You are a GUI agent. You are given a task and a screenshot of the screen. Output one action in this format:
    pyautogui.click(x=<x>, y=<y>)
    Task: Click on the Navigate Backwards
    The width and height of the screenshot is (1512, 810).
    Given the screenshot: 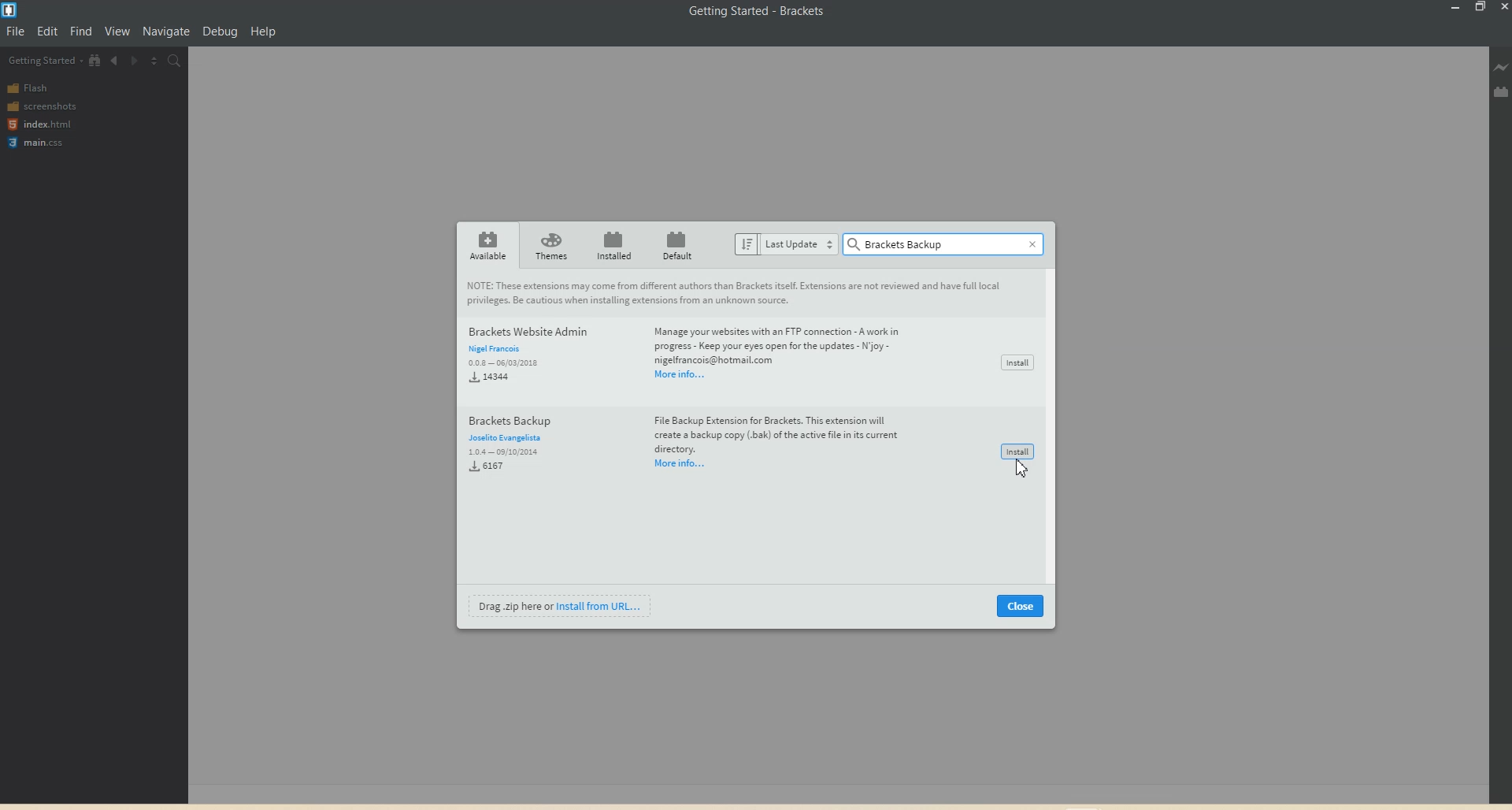 What is the action you would take?
    pyautogui.click(x=115, y=59)
    